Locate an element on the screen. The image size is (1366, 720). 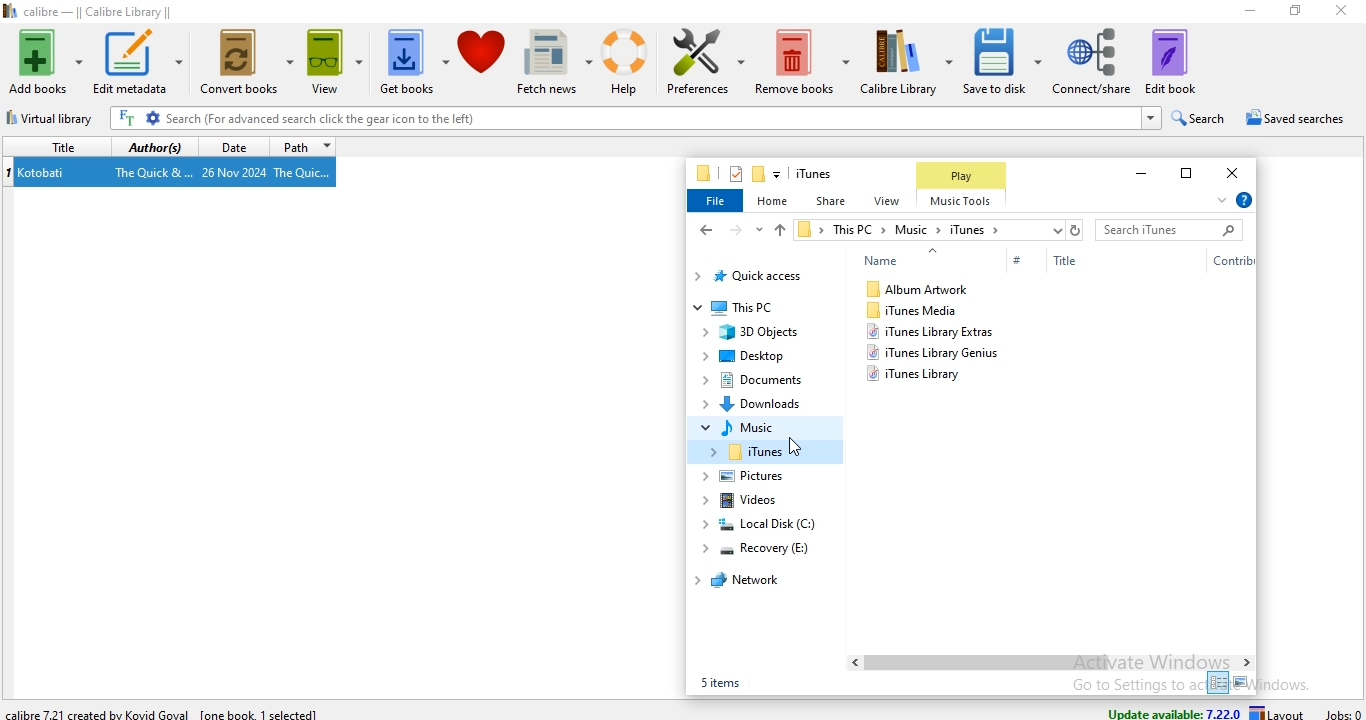
Title is located at coordinates (1069, 263).